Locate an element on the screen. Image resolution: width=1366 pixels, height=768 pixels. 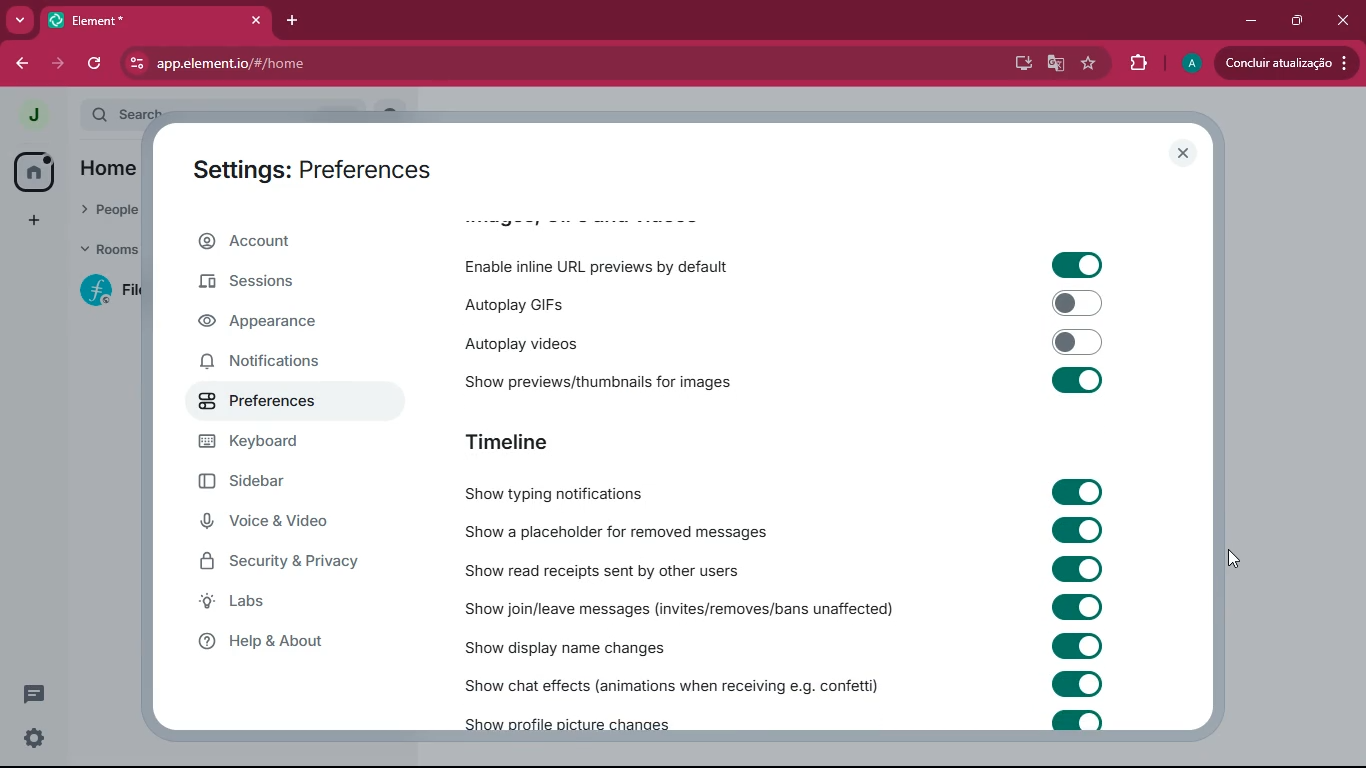
show chat effects (animations when receiving e.g. confetti) is located at coordinates (665, 684).